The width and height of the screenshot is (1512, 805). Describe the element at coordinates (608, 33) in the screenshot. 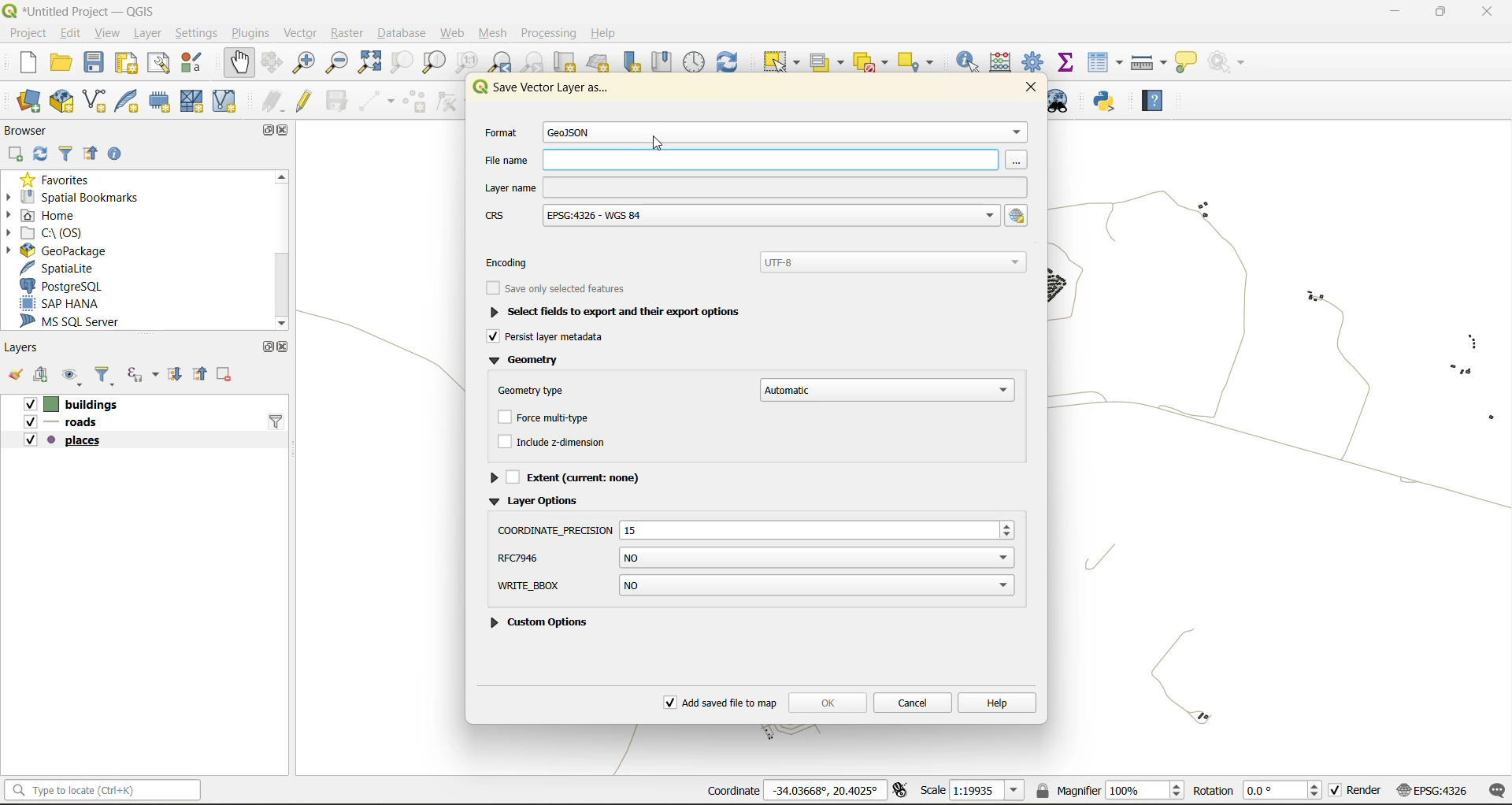

I see `help` at that location.